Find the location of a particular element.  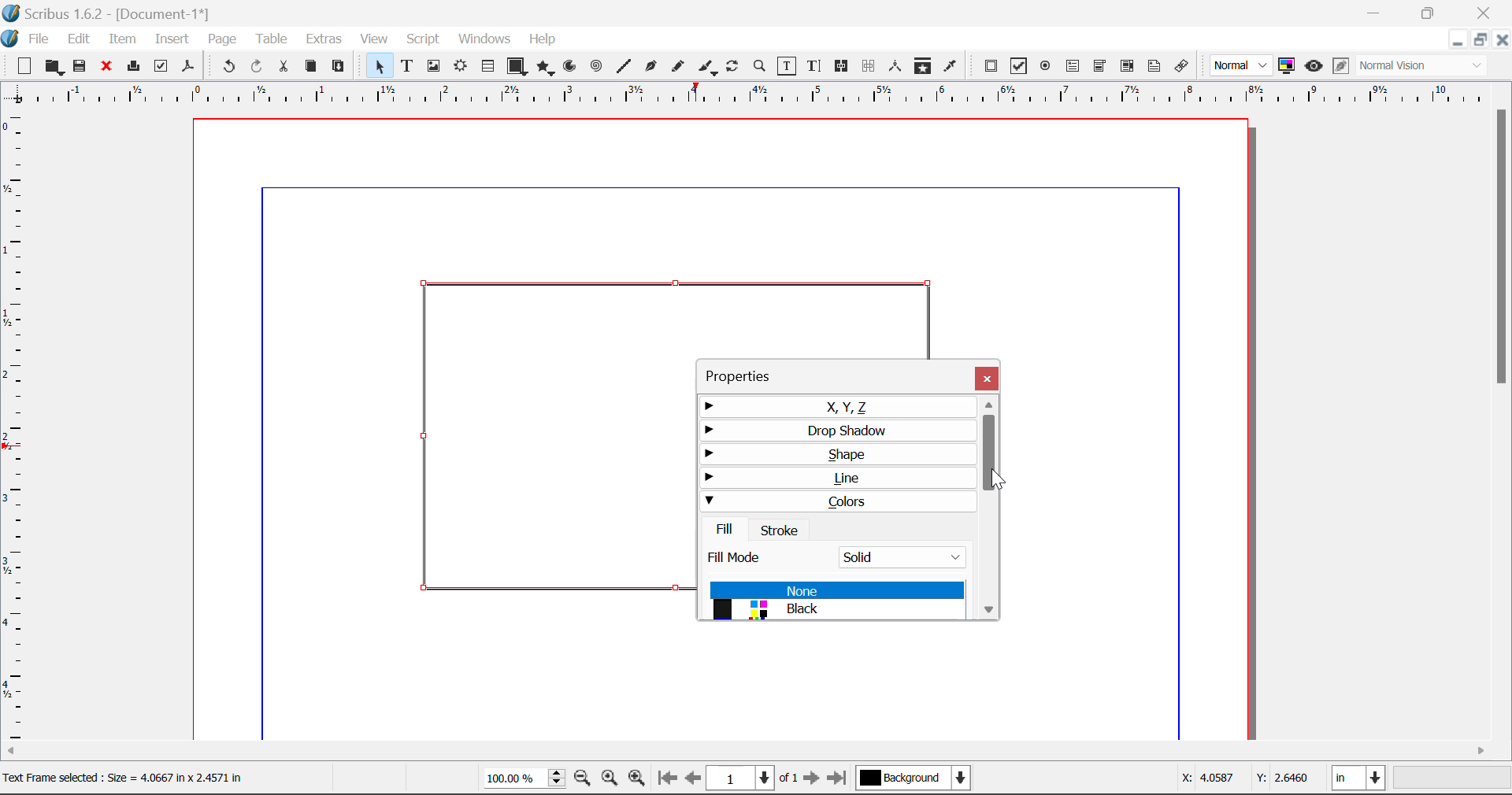

Previous Page is located at coordinates (695, 781).